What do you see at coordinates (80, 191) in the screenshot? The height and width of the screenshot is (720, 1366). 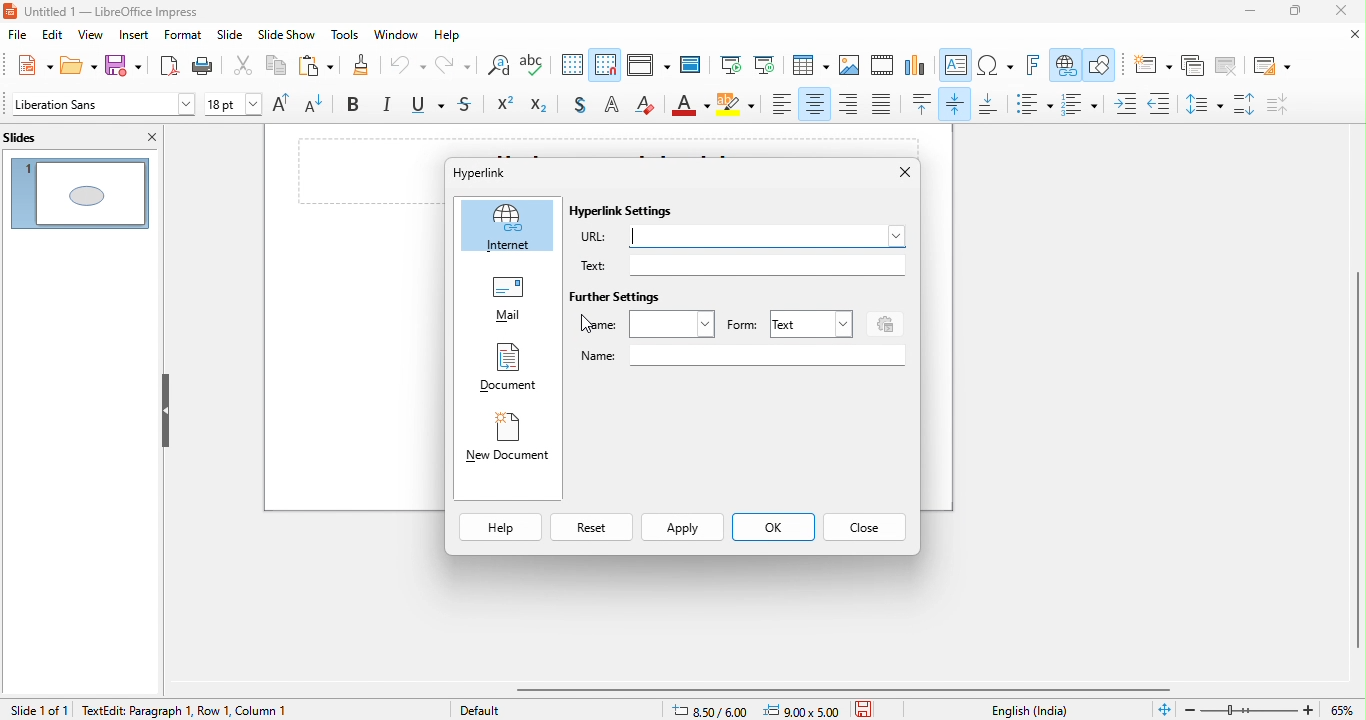 I see `slide 1` at bounding box center [80, 191].